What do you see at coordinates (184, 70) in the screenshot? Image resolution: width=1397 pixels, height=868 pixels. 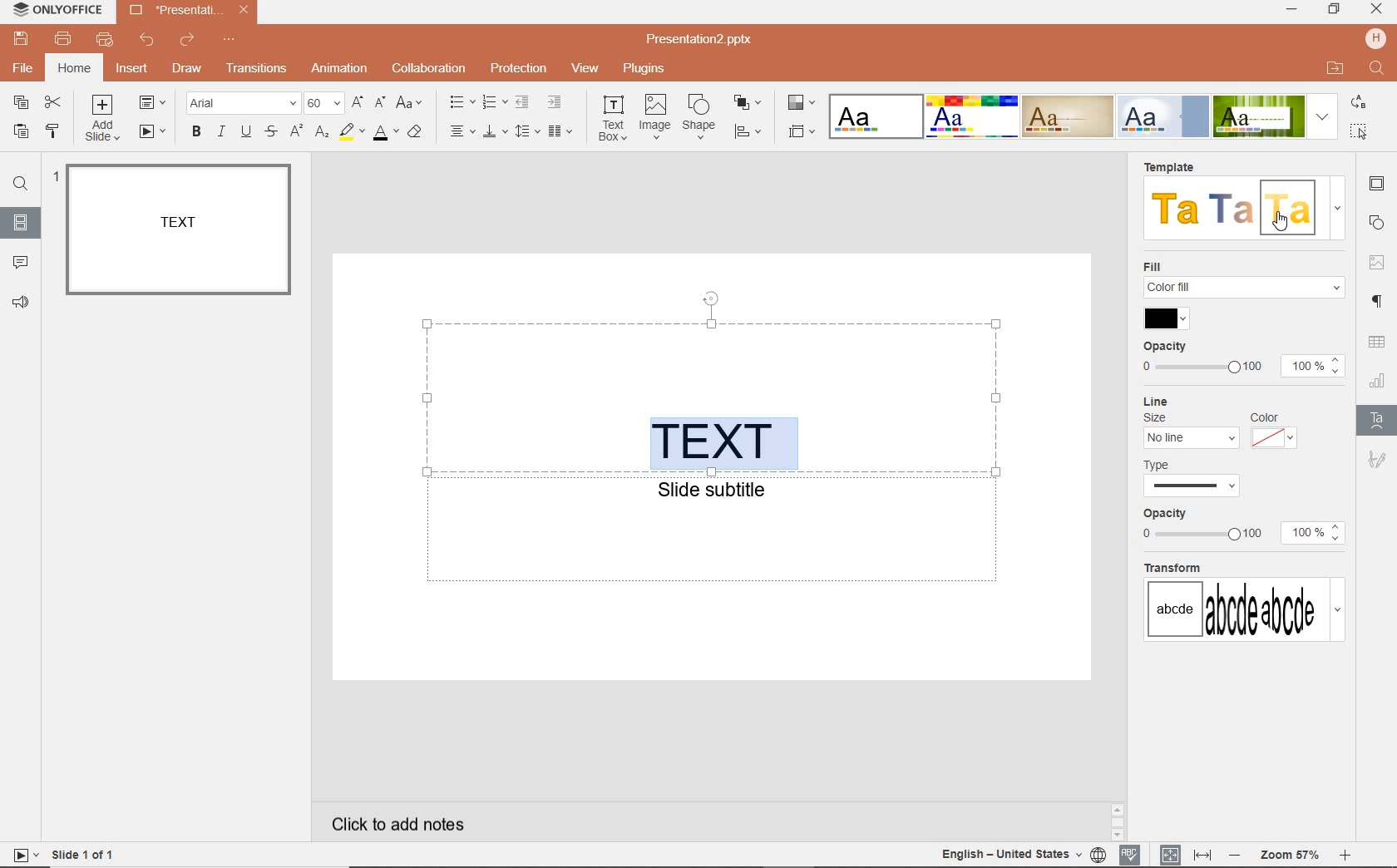 I see `DRAW` at bounding box center [184, 70].